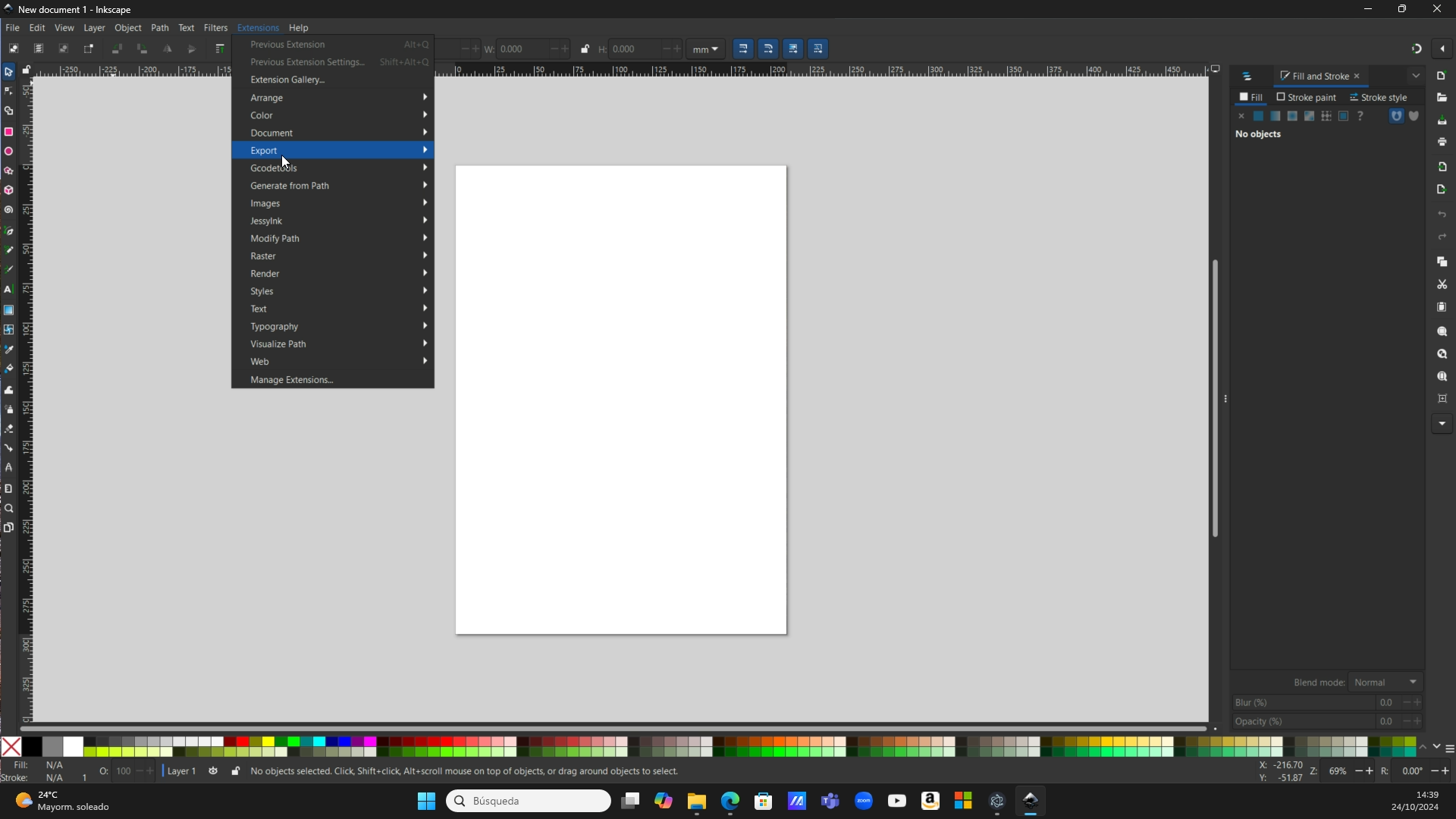 Image resolution: width=1456 pixels, height=819 pixels. Describe the element at coordinates (340, 344) in the screenshot. I see `Visualize Path` at that location.